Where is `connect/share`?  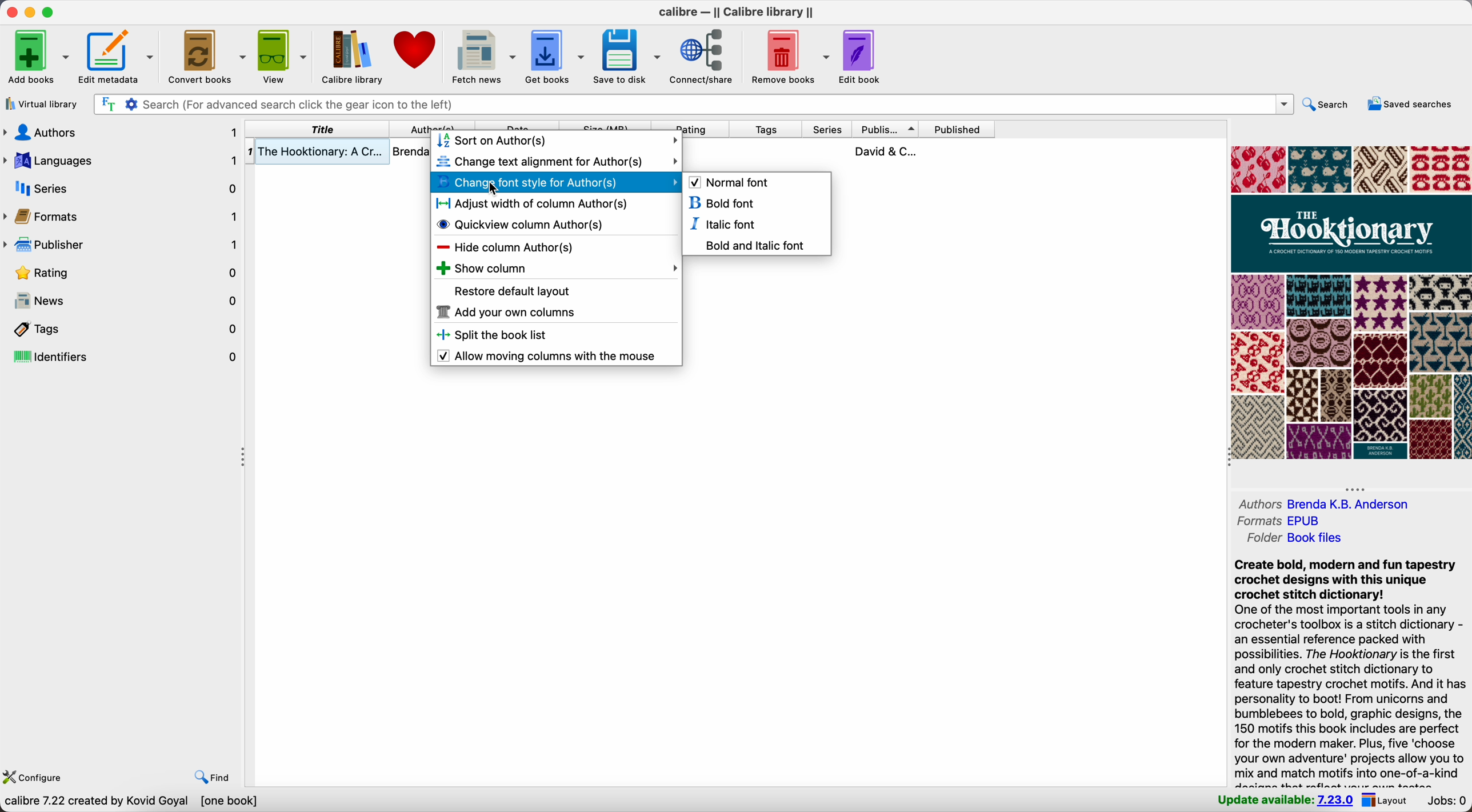 connect/share is located at coordinates (705, 56).